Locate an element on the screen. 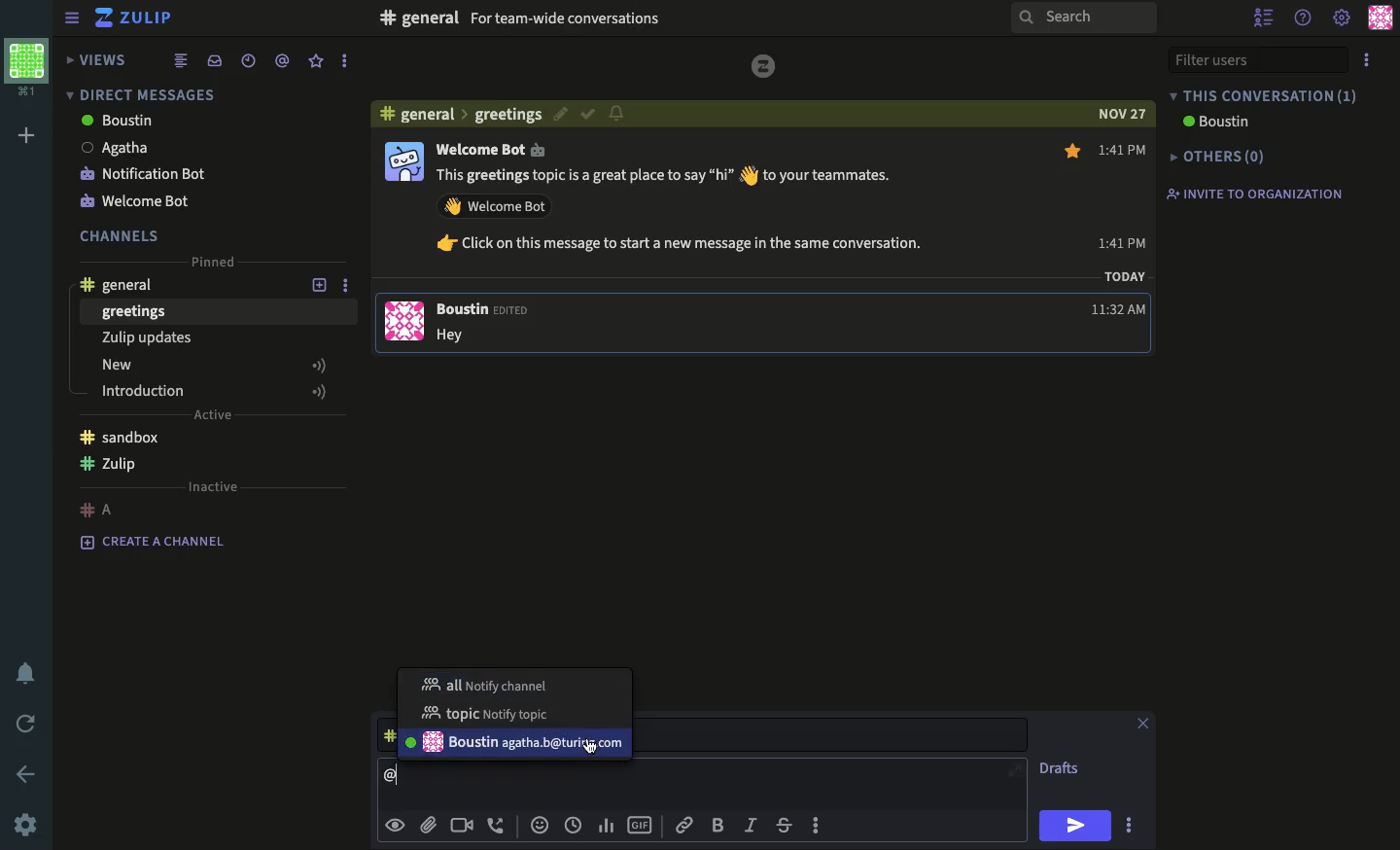  correct is located at coordinates (586, 115).